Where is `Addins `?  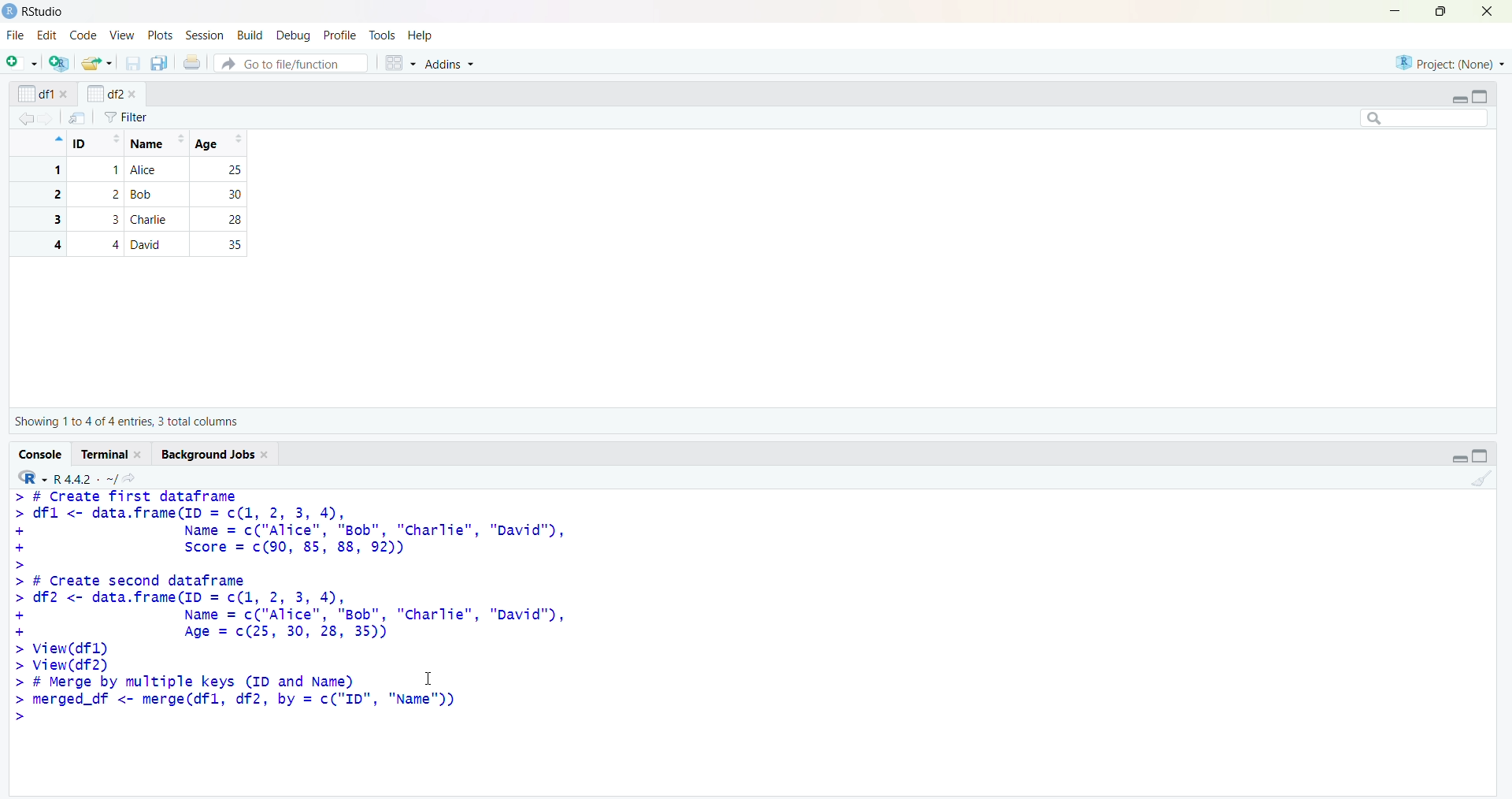
Addins  is located at coordinates (448, 63).